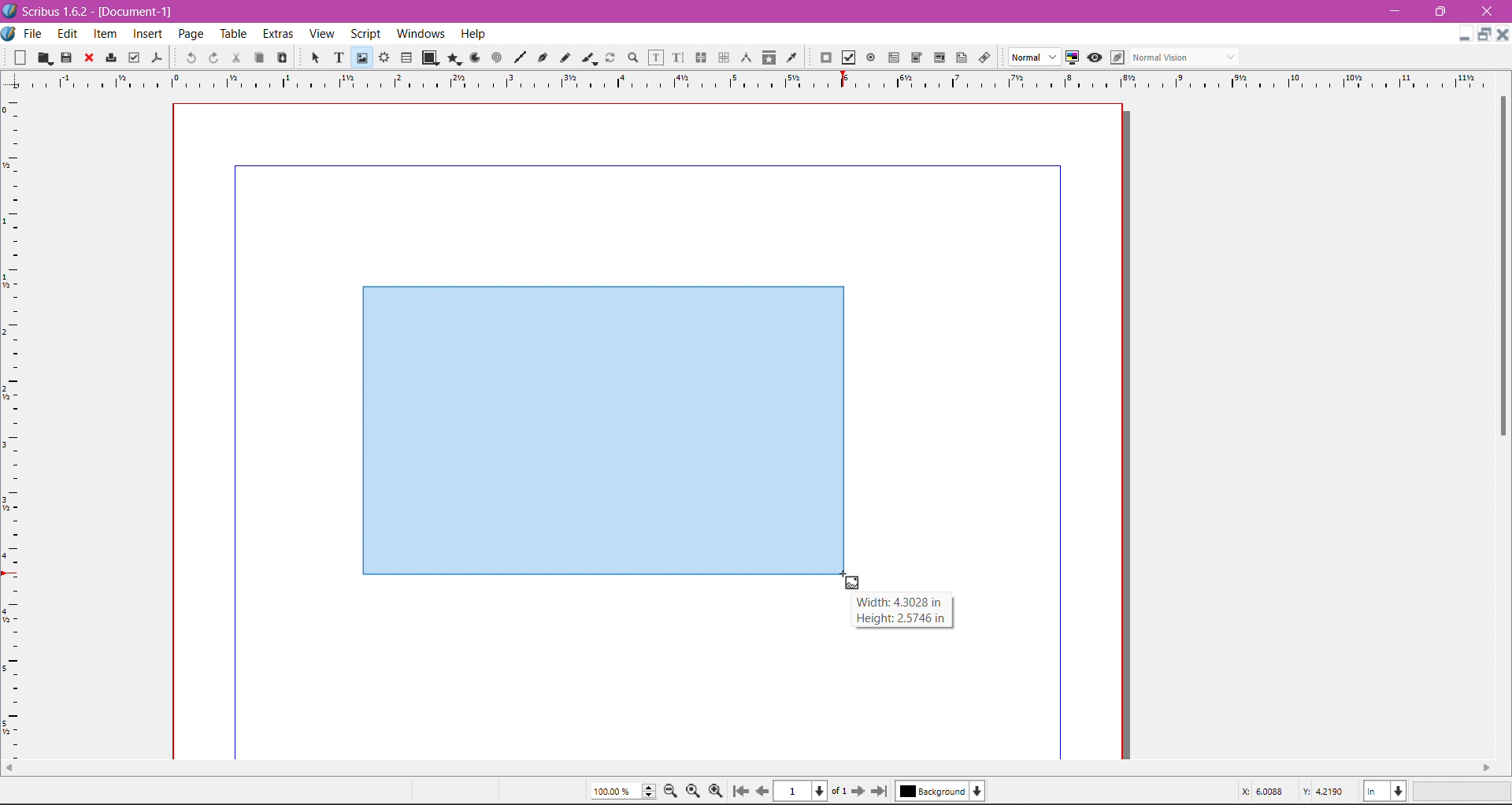  I want to click on Render Frame, so click(385, 57).